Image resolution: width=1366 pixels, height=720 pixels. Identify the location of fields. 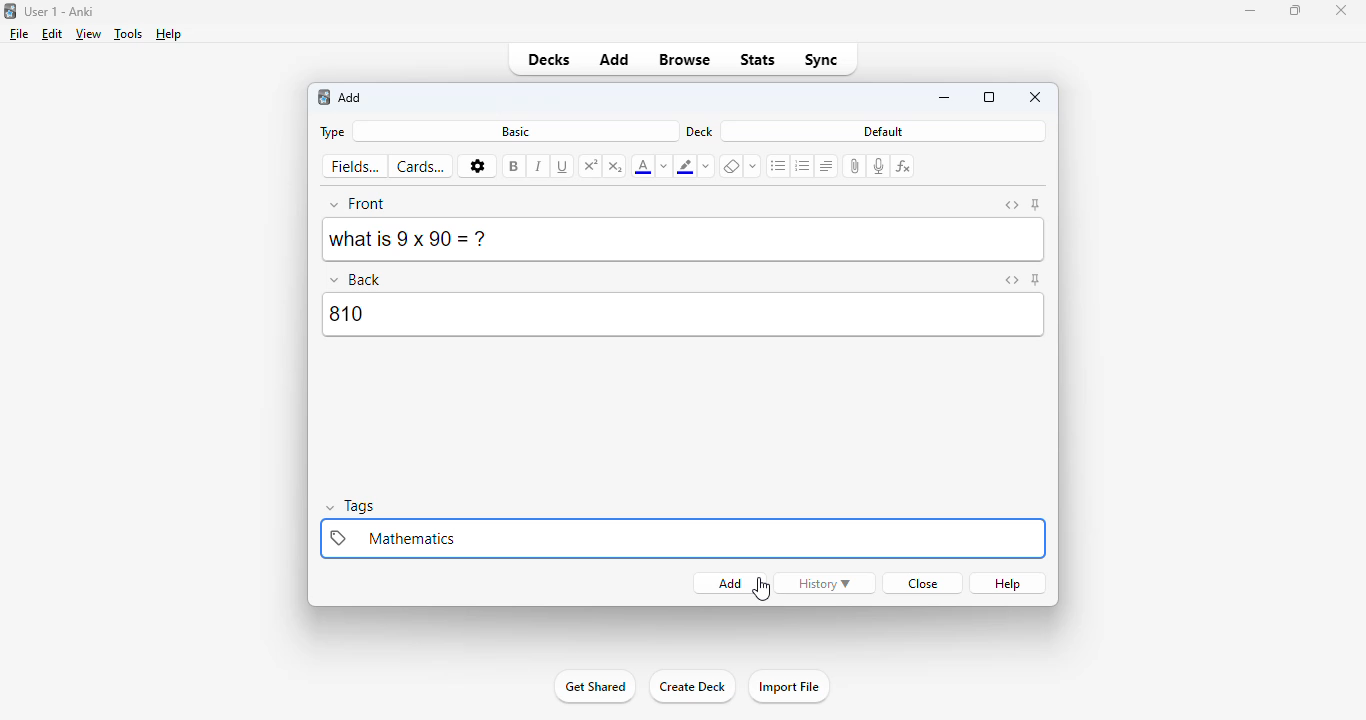
(356, 167).